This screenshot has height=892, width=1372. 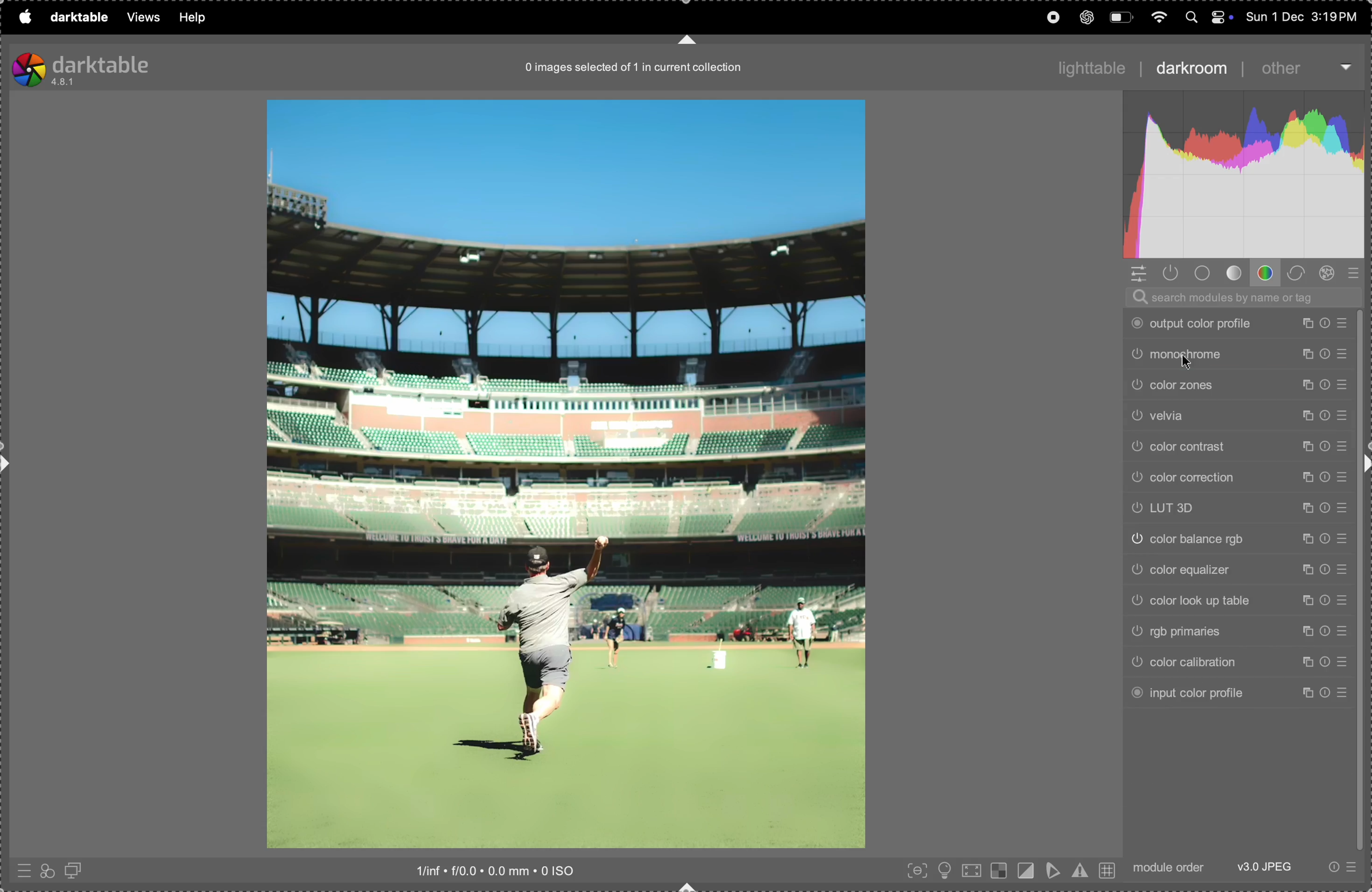 What do you see at coordinates (1238, 662) in the screenshot?
I see `color calibiration` at bounding box center [1238, 662].